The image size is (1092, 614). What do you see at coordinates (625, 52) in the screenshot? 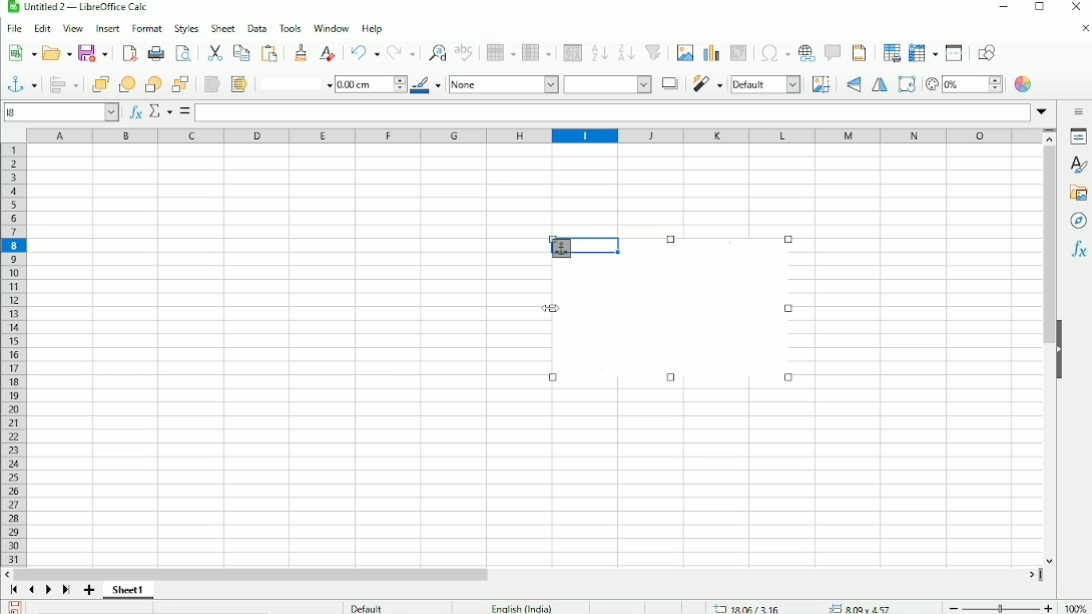
I see `Sort descending` at bounding box center [625, 52].